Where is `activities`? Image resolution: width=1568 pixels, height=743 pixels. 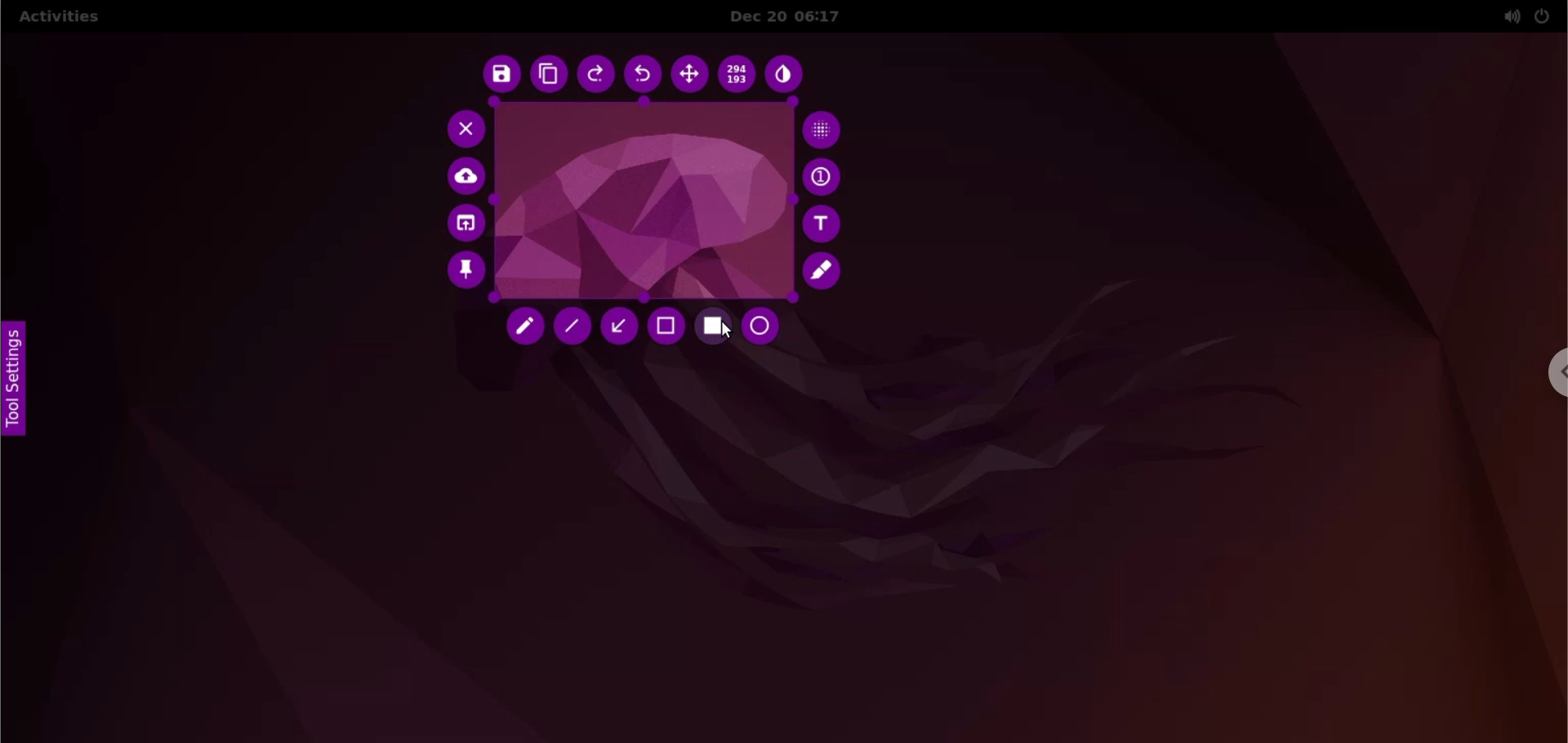
activities is located at coordinates (58, 19).